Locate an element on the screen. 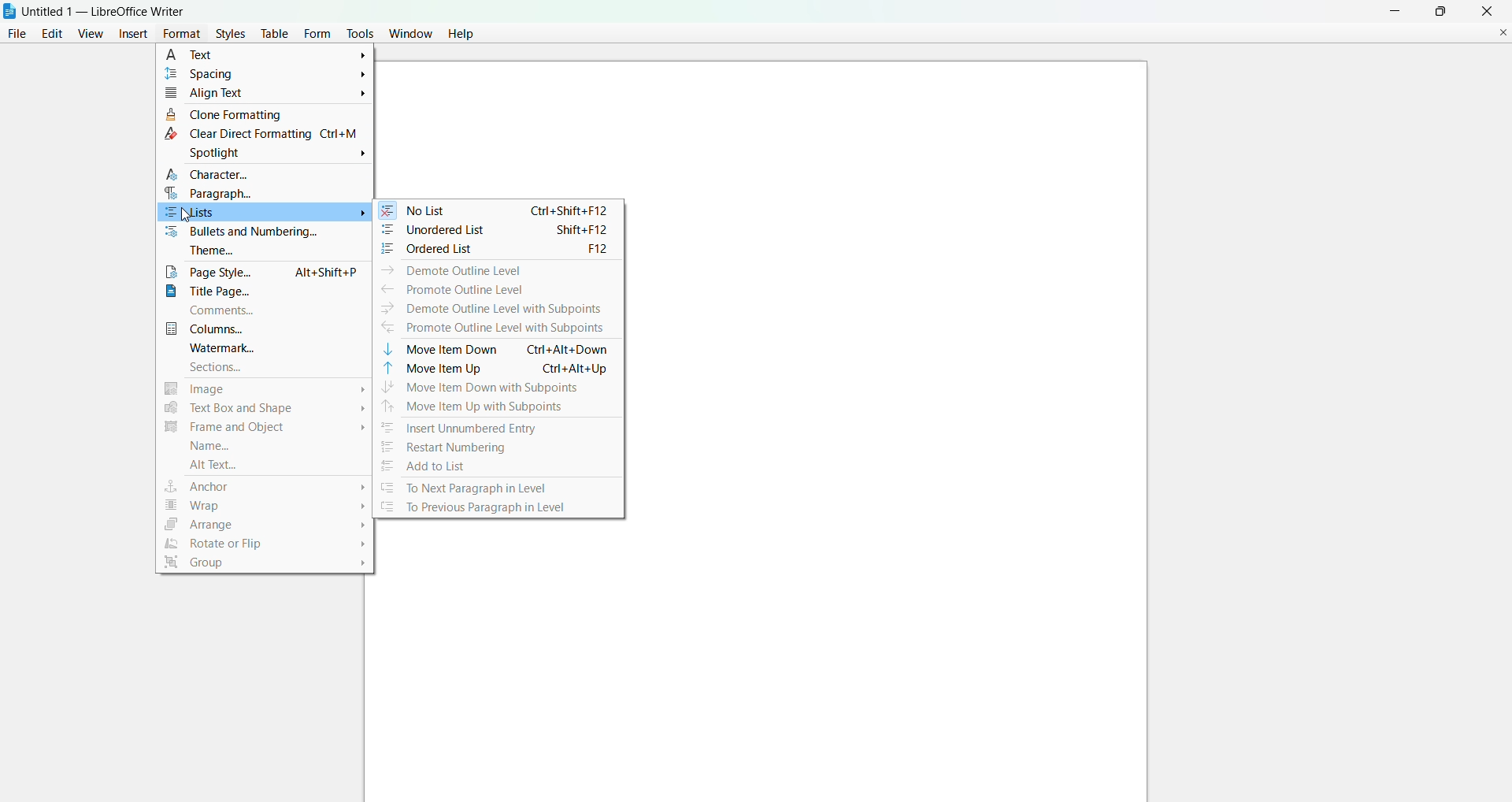 This screenshot has width=1512, height=802. promote outline level with subpoints is located at coordinates (478, 329).